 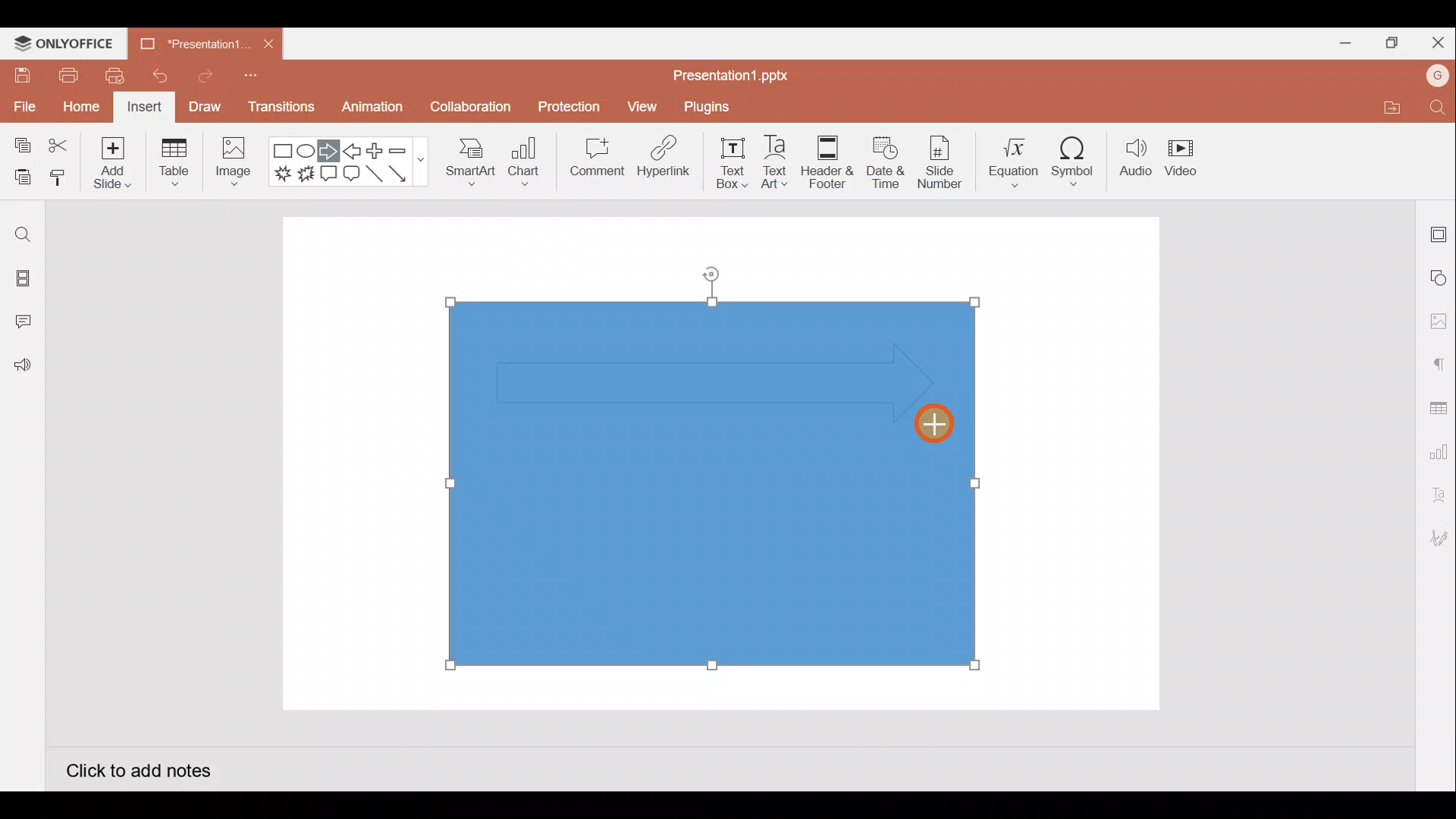 What do you see at coordinates (406, 149) in the screenshot?
I see `Minus` at bounding box center [406, 149].